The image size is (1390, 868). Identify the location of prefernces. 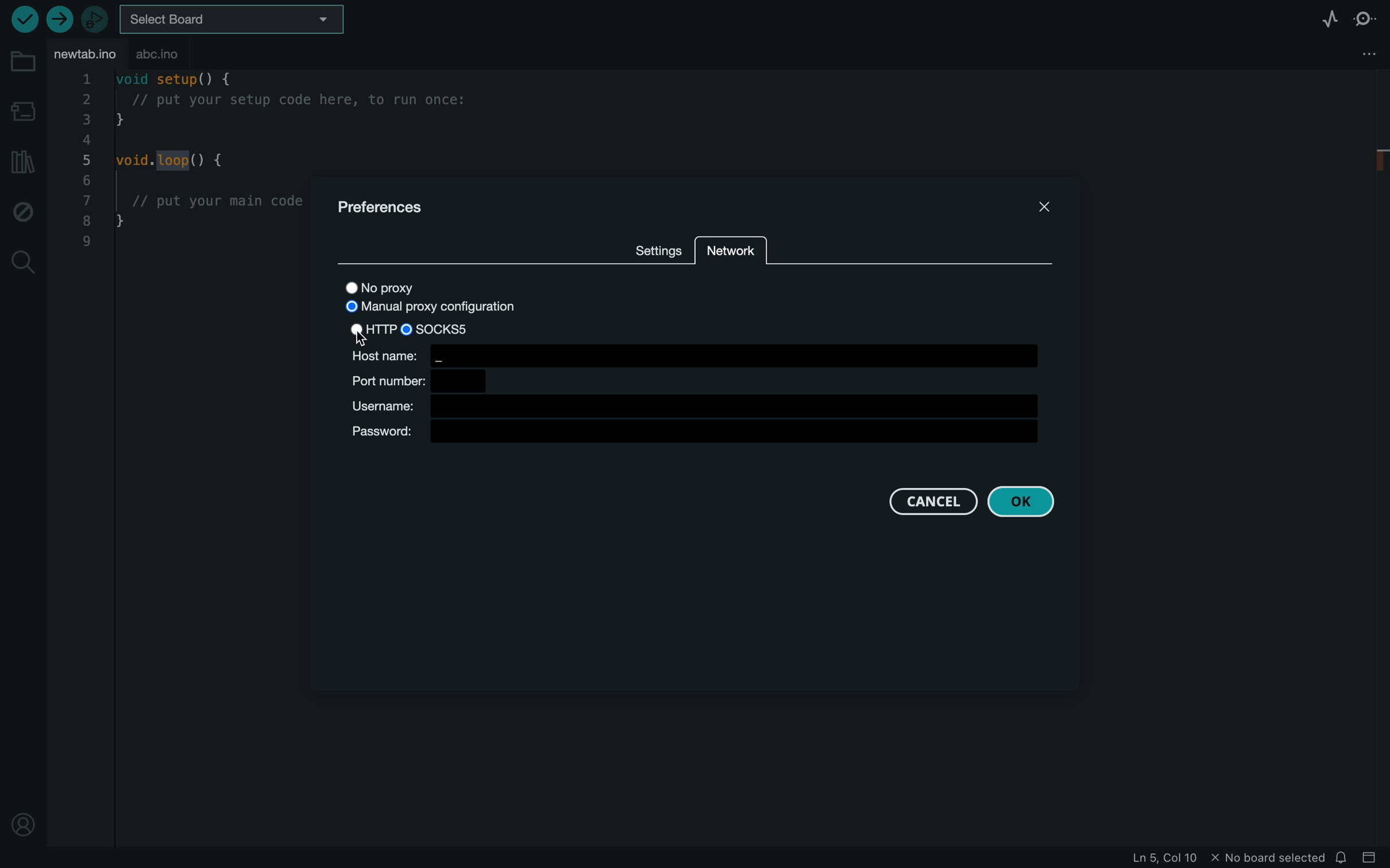
(391, 207).